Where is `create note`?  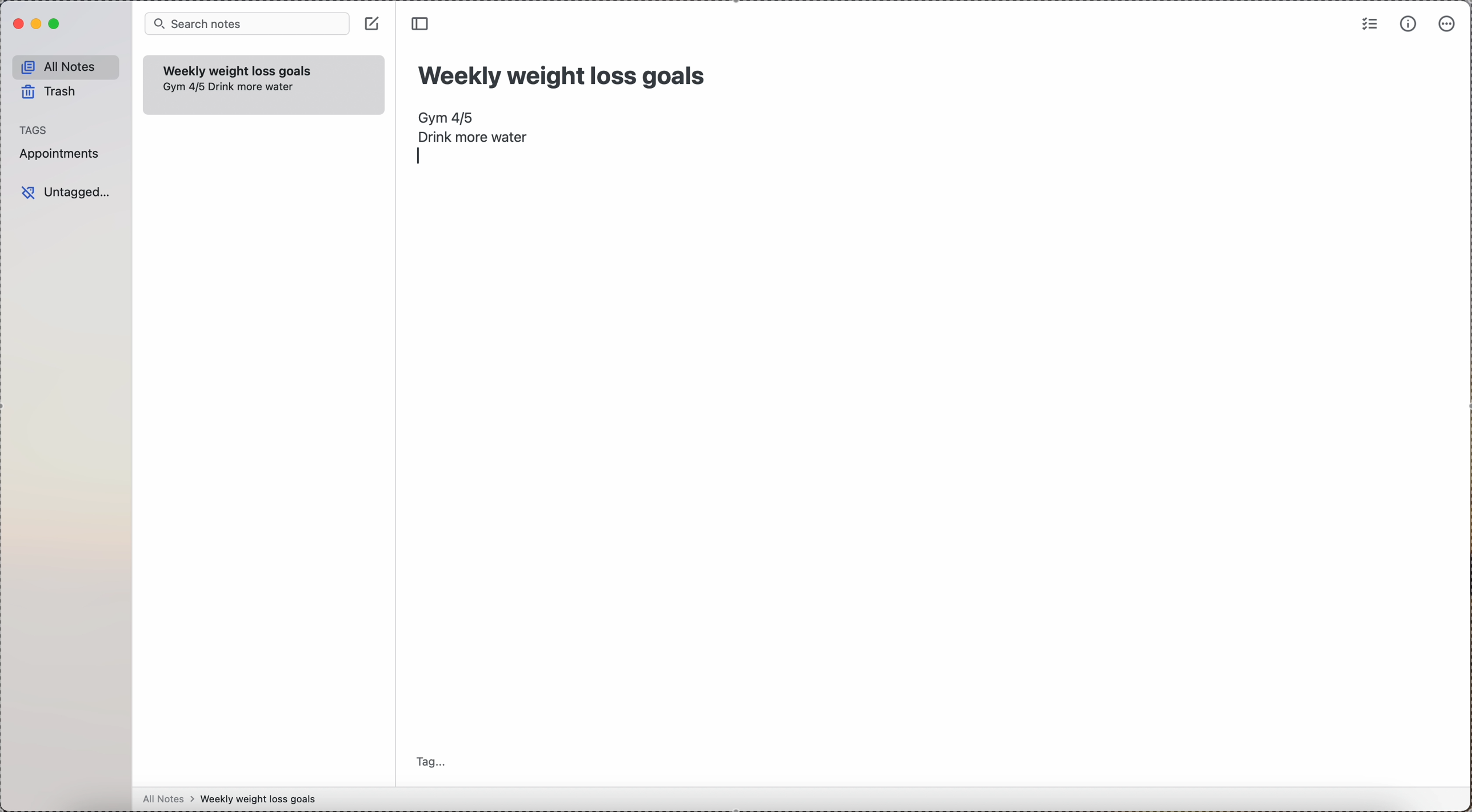 create note is located at coordinates (373, 23).